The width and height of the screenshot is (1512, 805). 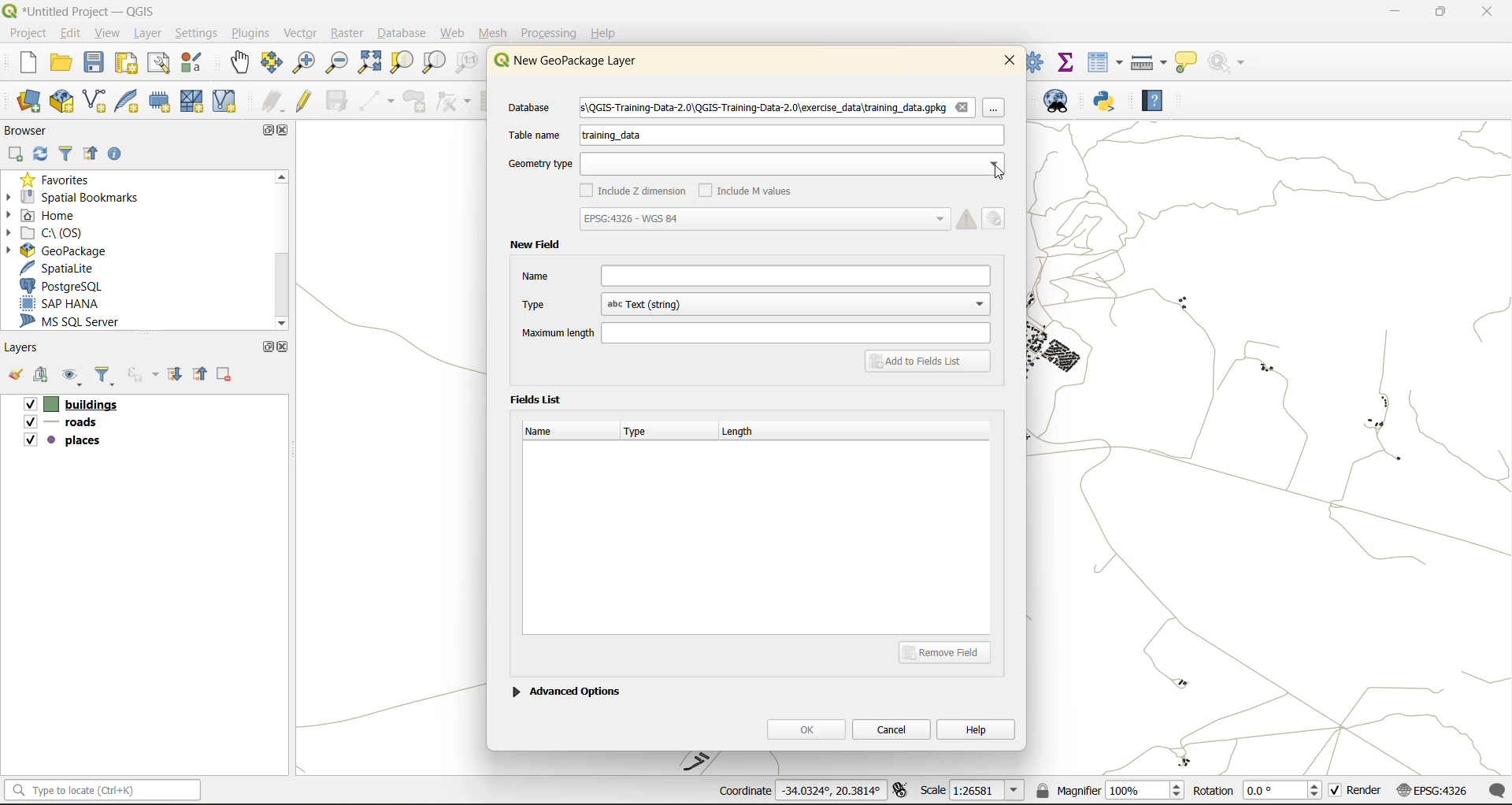 What do you see at coordinates (103, 793) in the screenshot?
I see `Type to locate (Ctrl+K)(status bar)` at bounding box center [103, 793].